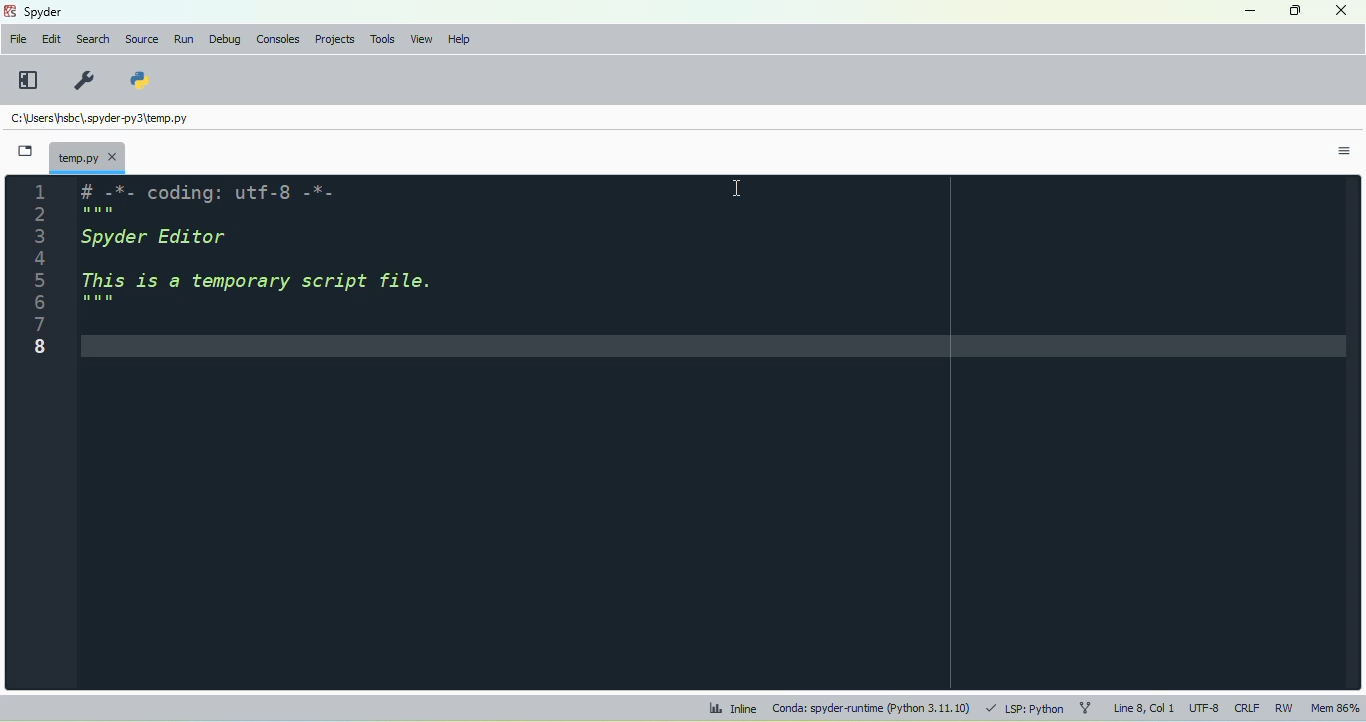 The height and width of the screenshot is (722, 1366). What do you see at coordinates (1344, 151) in the screenshot?
I see `options` at bounding box center [1344, 151].